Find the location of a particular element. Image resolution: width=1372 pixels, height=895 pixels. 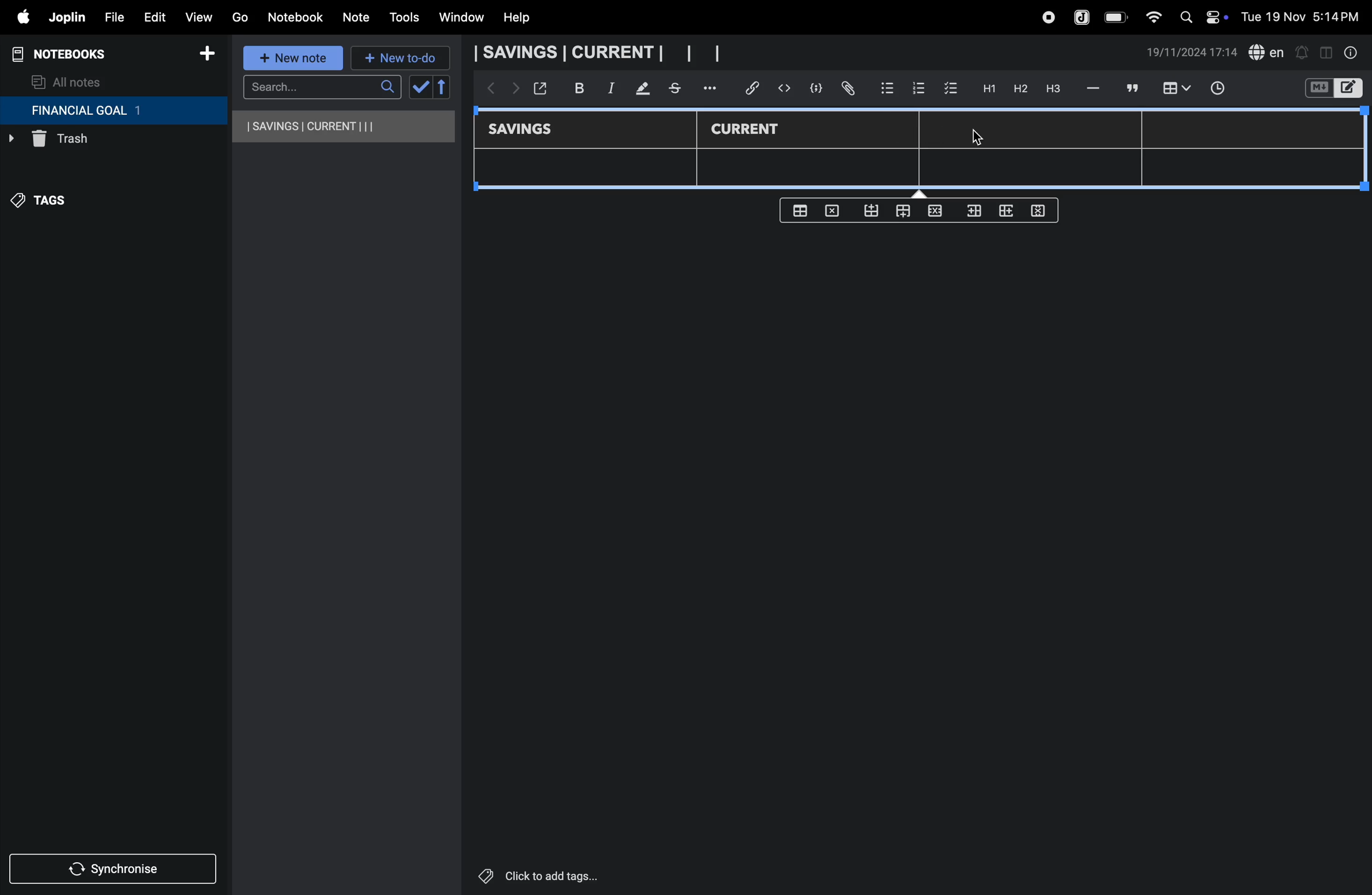

heading 3 is located at coordinates (1053, 89).